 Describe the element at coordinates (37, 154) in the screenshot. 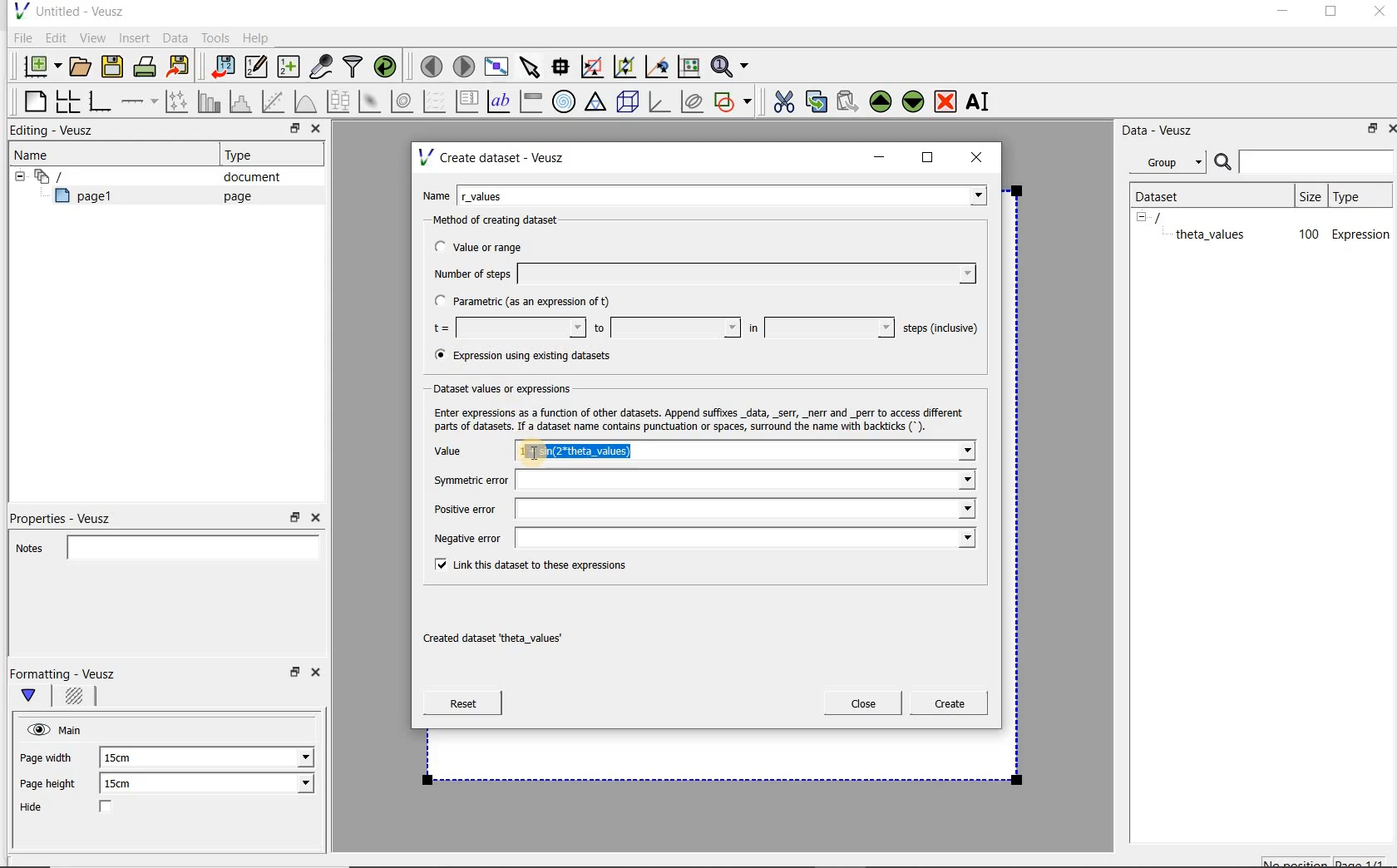

I see `Name` at that location.